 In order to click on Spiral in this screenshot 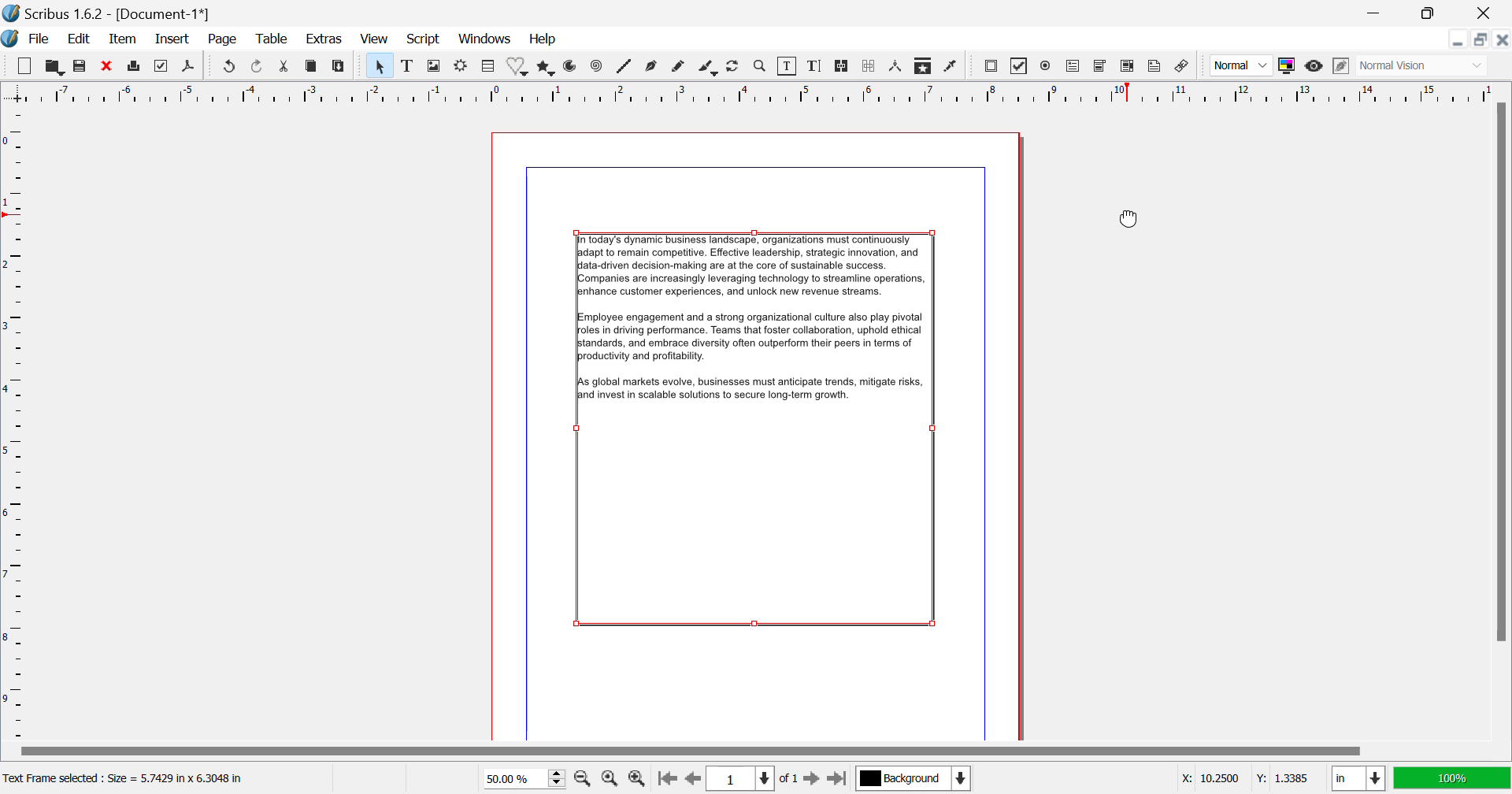, I will do `click(624, 66)`.